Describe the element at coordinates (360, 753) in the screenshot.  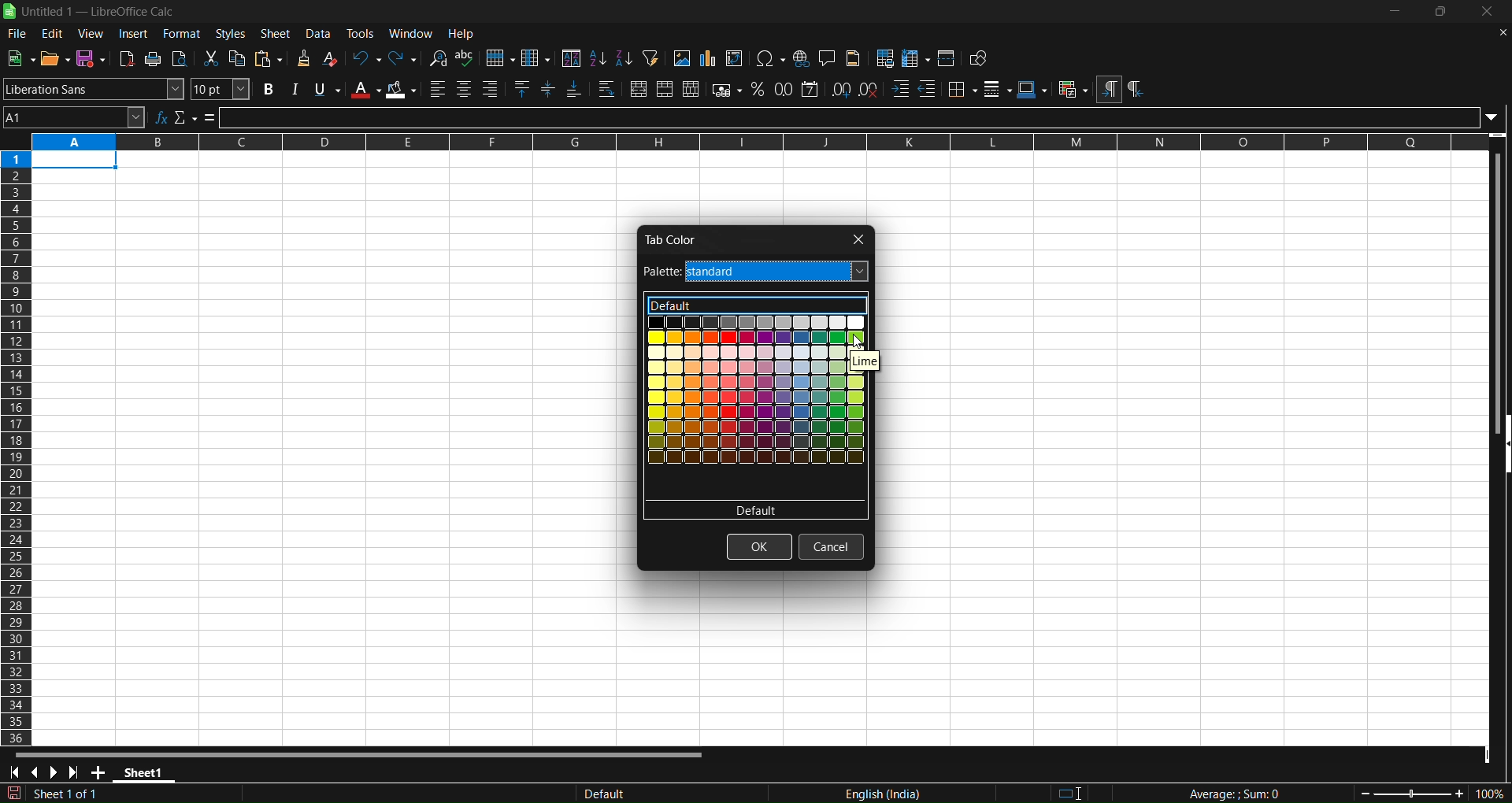
I see `horizontal scroll bar` at that location.